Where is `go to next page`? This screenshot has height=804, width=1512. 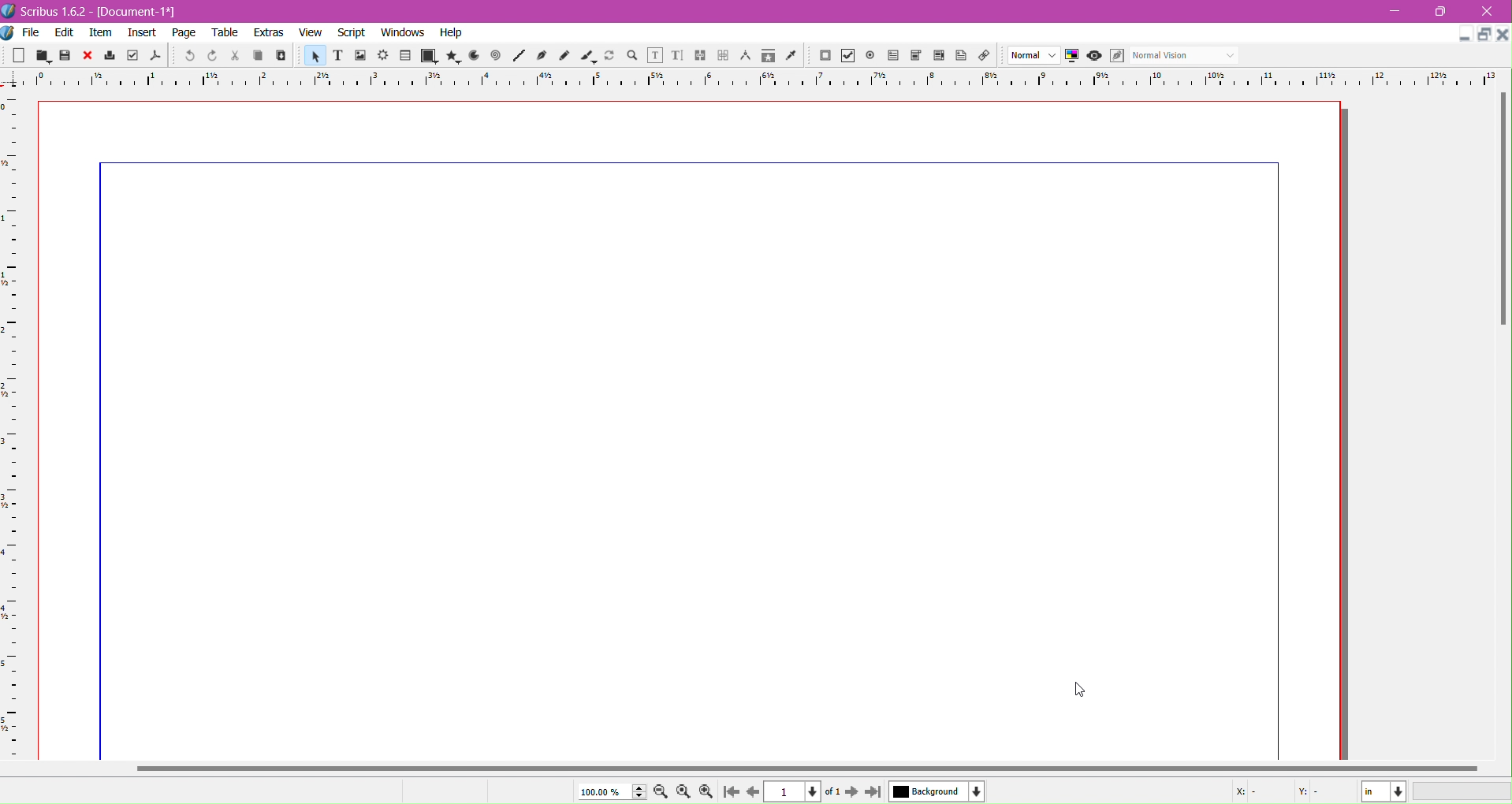 go to next page is located at coordinates (851, 793).